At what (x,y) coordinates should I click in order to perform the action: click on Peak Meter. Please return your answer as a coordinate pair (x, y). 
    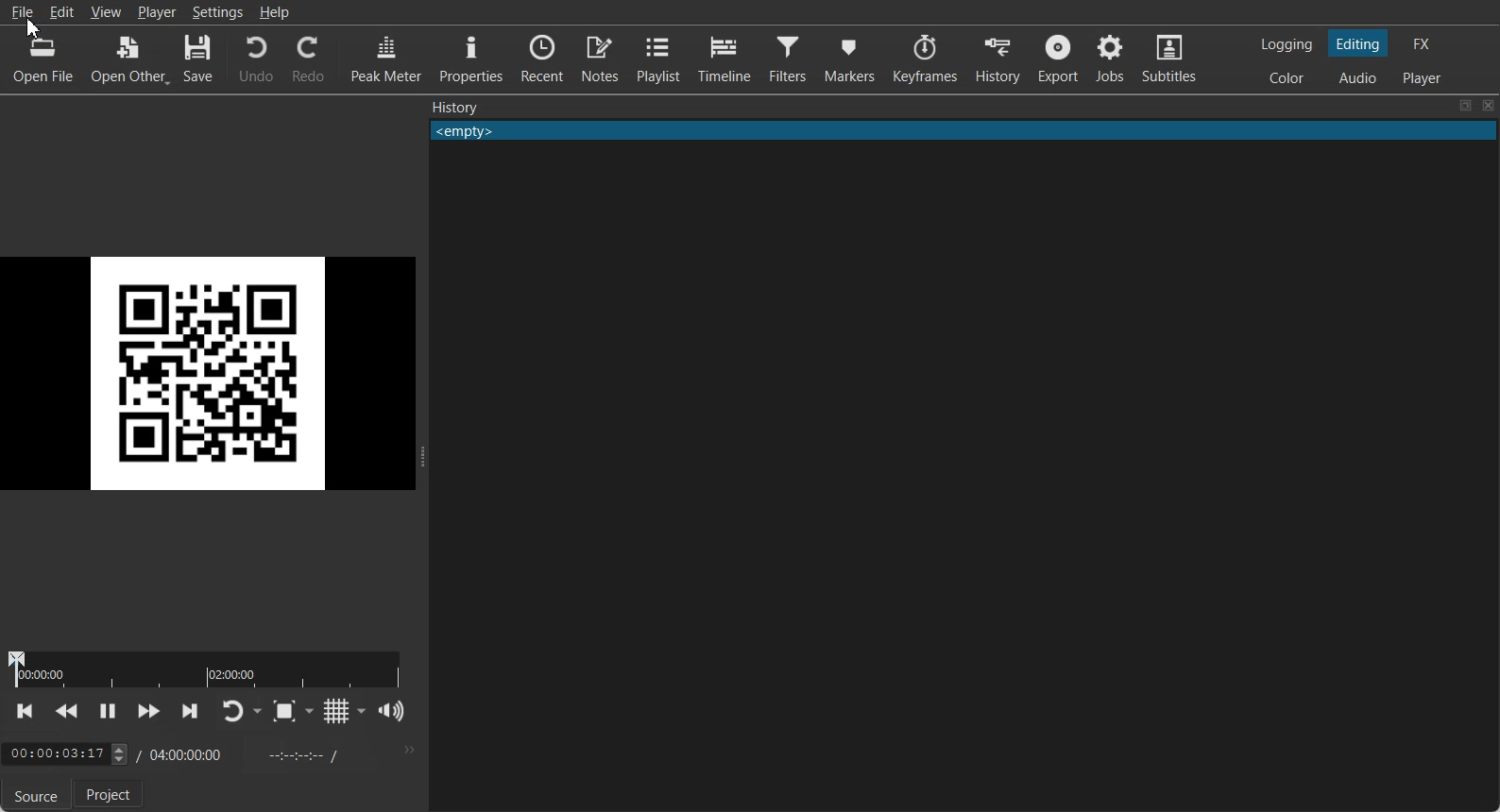
    Looking at the image, I should click on (386, 57).